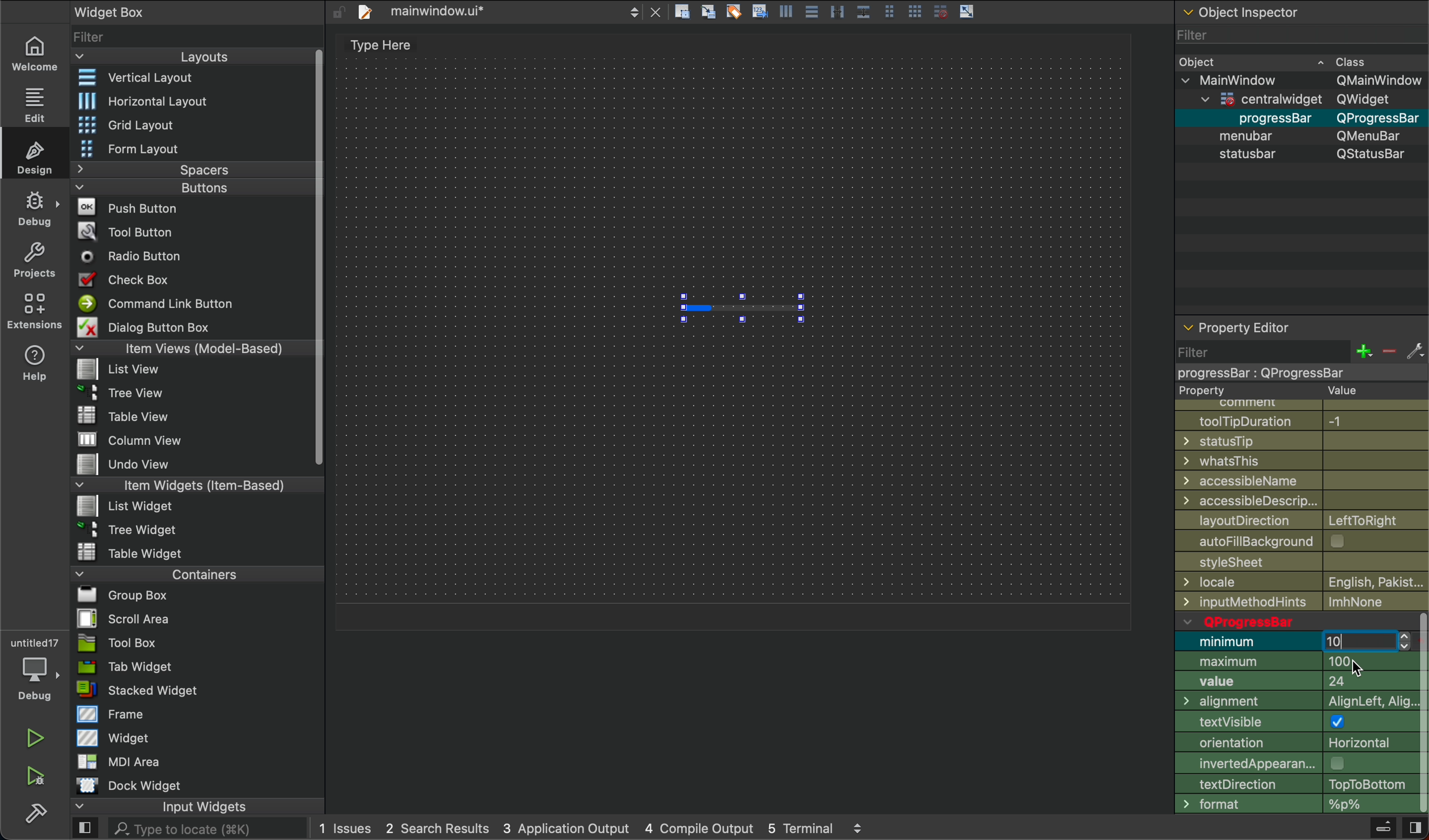 The image size is (1429, 840). I want to click on tooltip duration, so click(1296, 419).